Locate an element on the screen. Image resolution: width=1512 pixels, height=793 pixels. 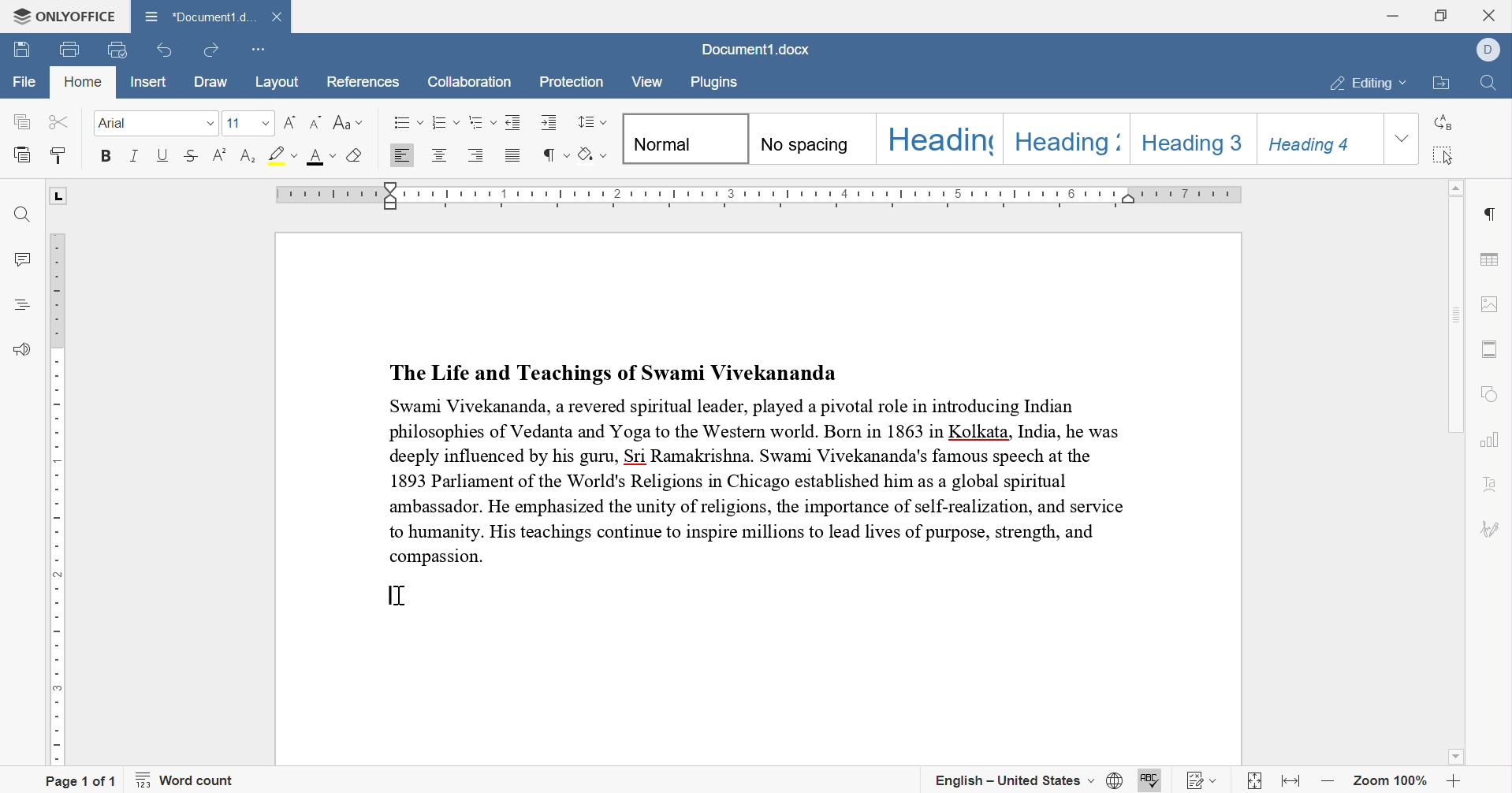
draw is located at coordinates (218, 82).